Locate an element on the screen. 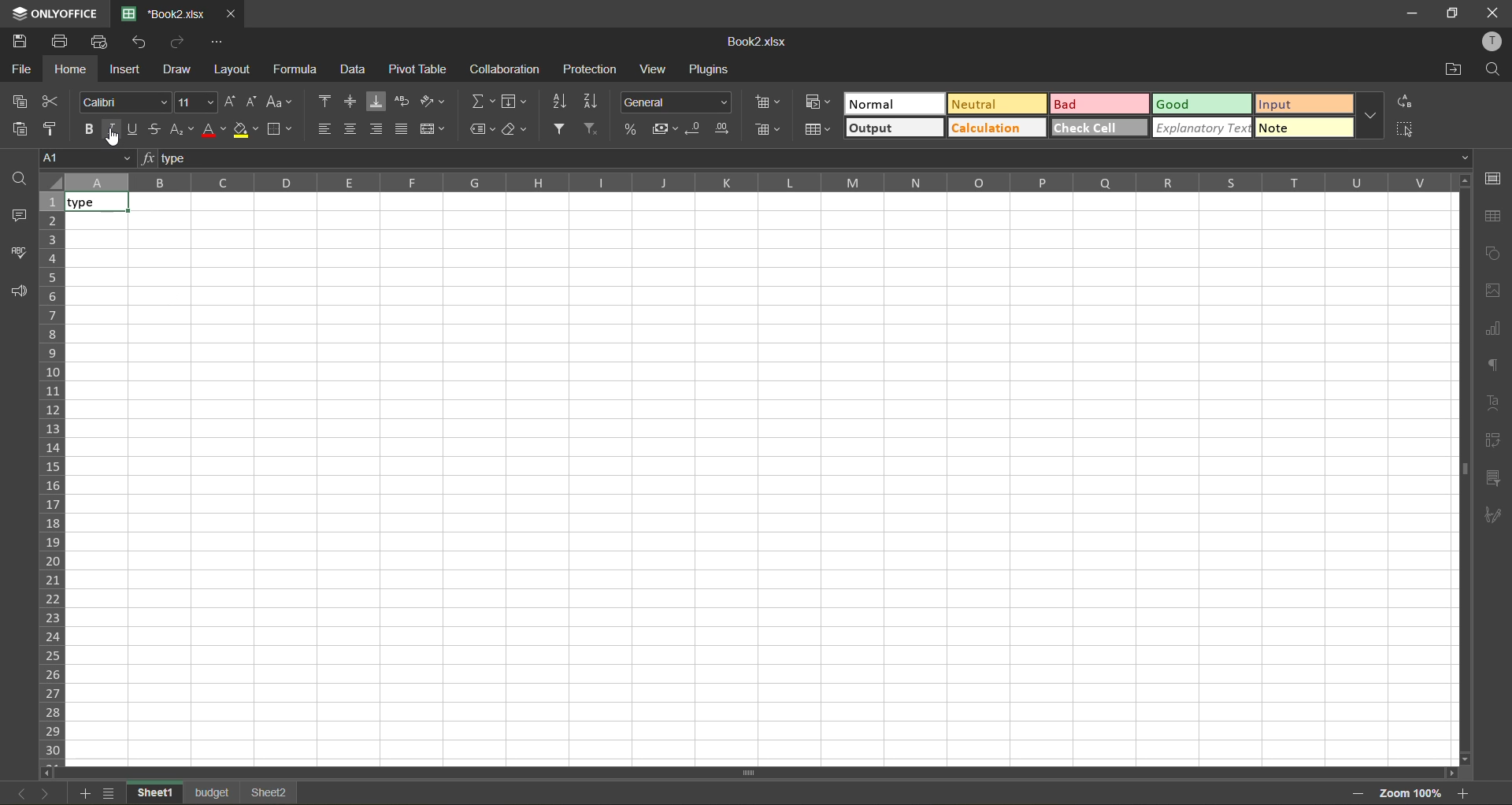 The image size is (1512, 805). underline is located at coordinates (133, 130).